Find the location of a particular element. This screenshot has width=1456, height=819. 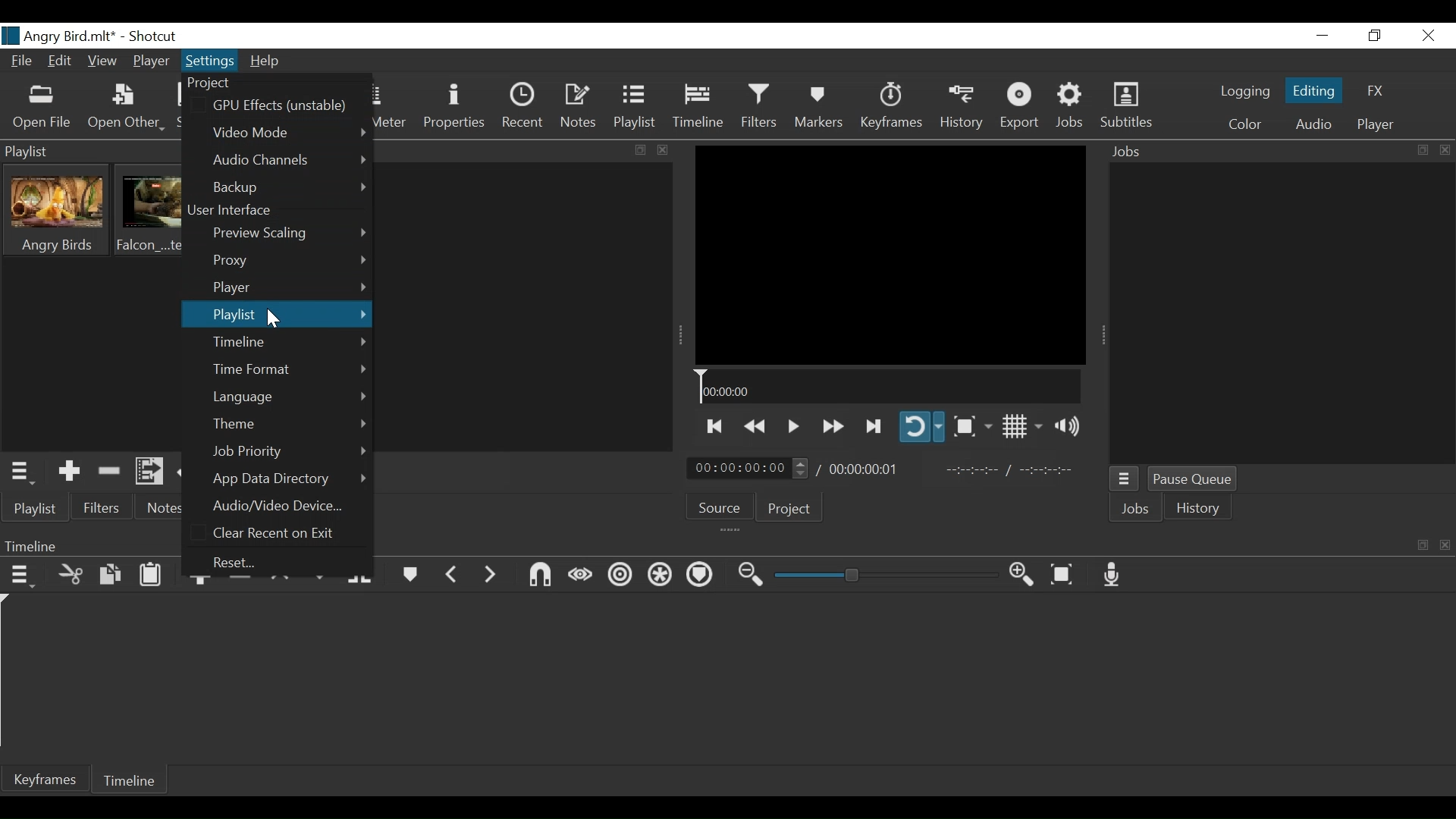

Clip is located at coordinates (152, 210).